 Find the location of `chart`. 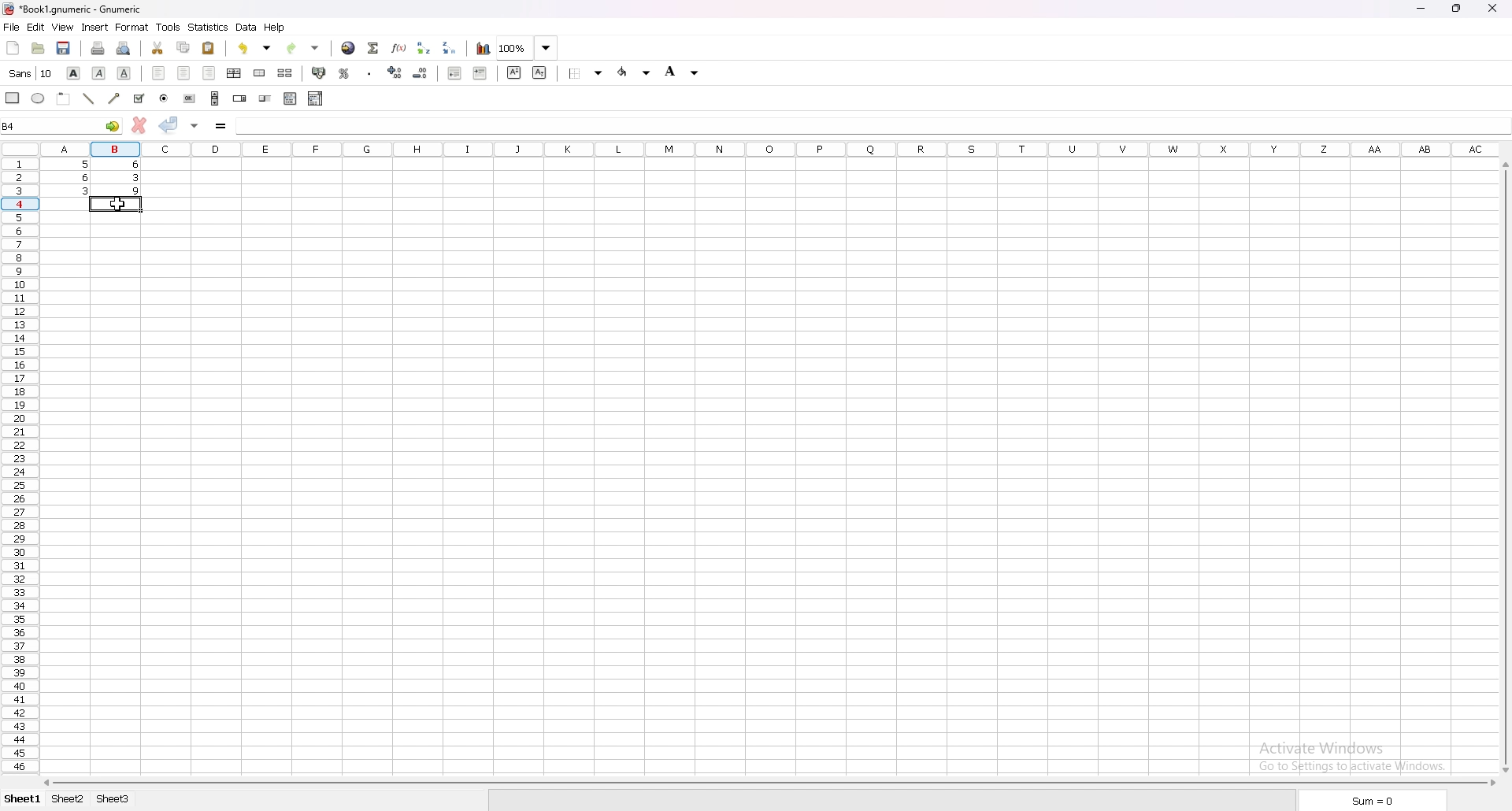

chart is located at coordinates (483, 47).